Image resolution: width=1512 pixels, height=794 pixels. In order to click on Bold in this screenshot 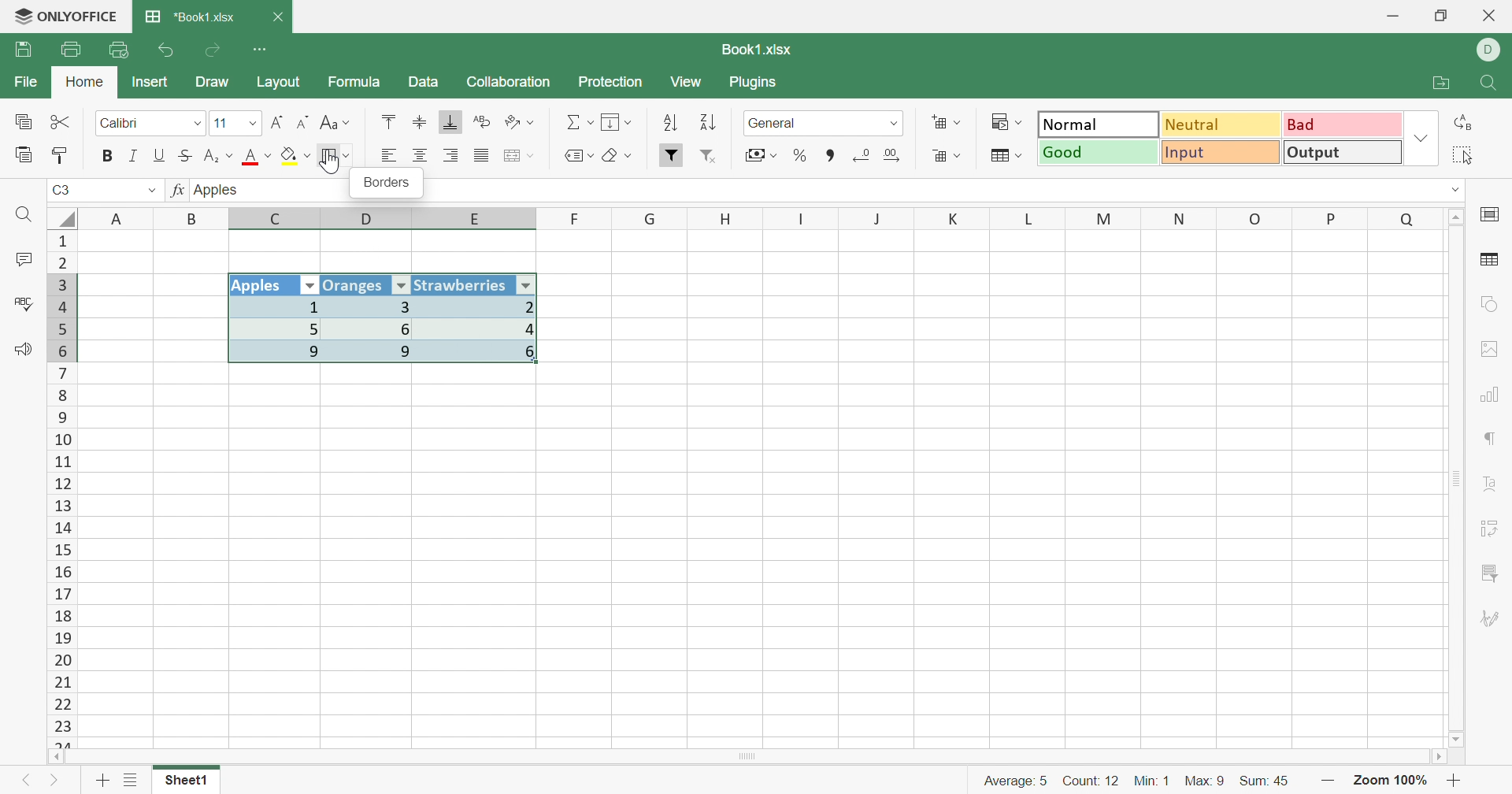, I will do `click(108, 155)`.